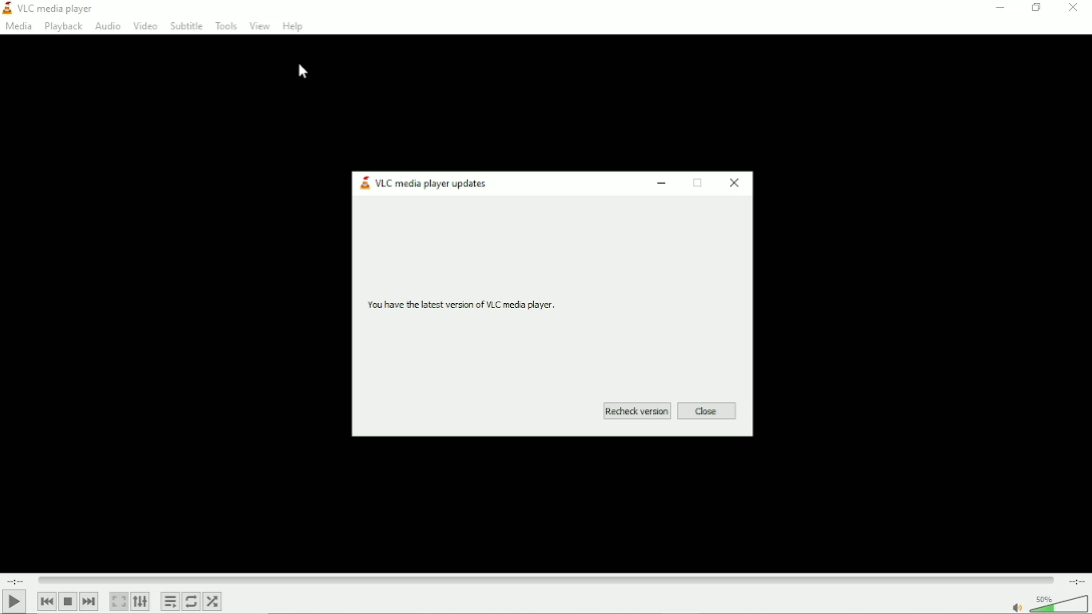 This screenshot has width=1092, height=614. Describe the element at coordinates (15, 602) in the screenshot. I see `Play` at that location.